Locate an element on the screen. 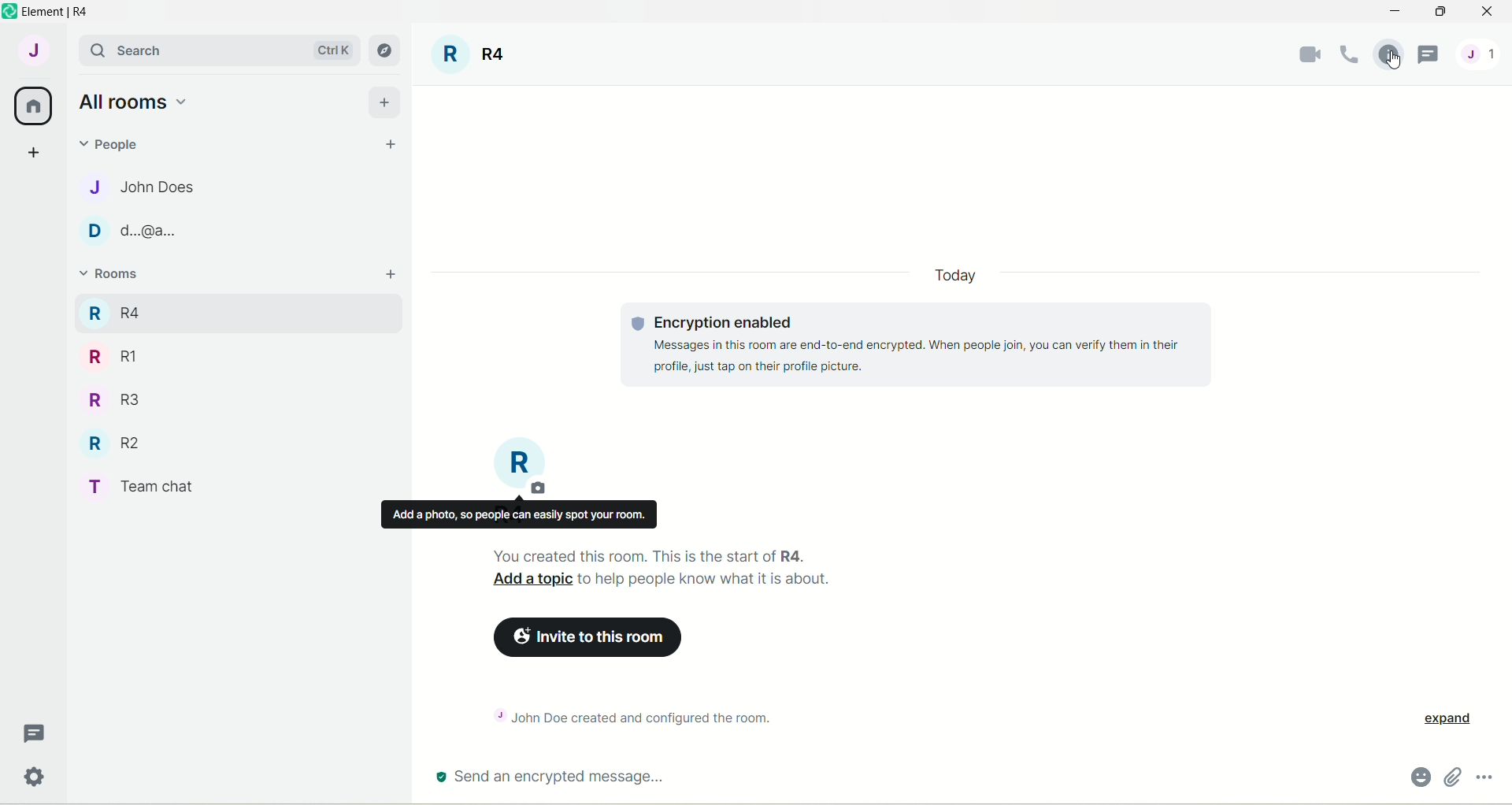  settings is located at coordinates (37, 780).